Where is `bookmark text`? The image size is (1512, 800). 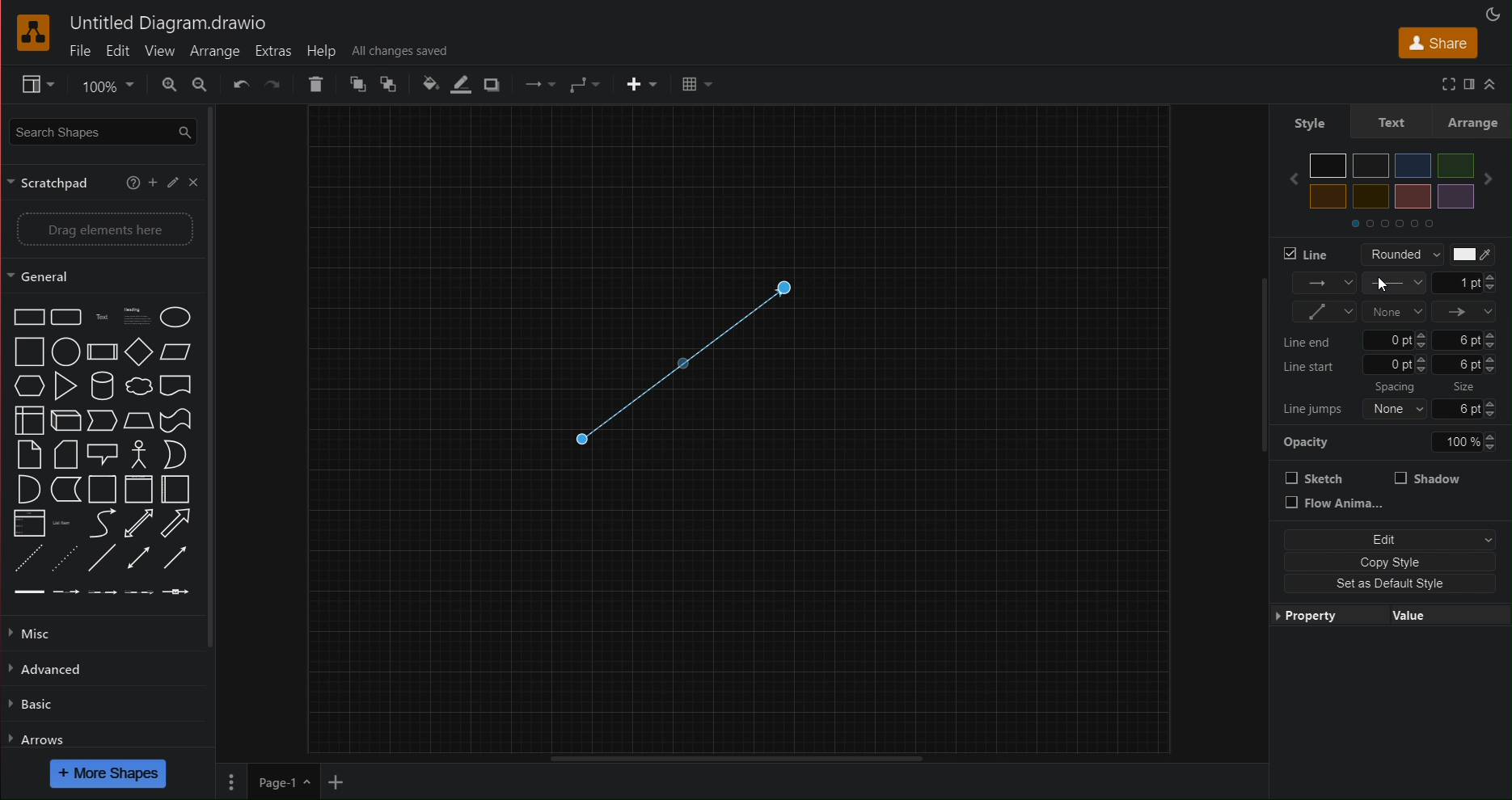 bookmark text is located at coordinates (1468, 82).